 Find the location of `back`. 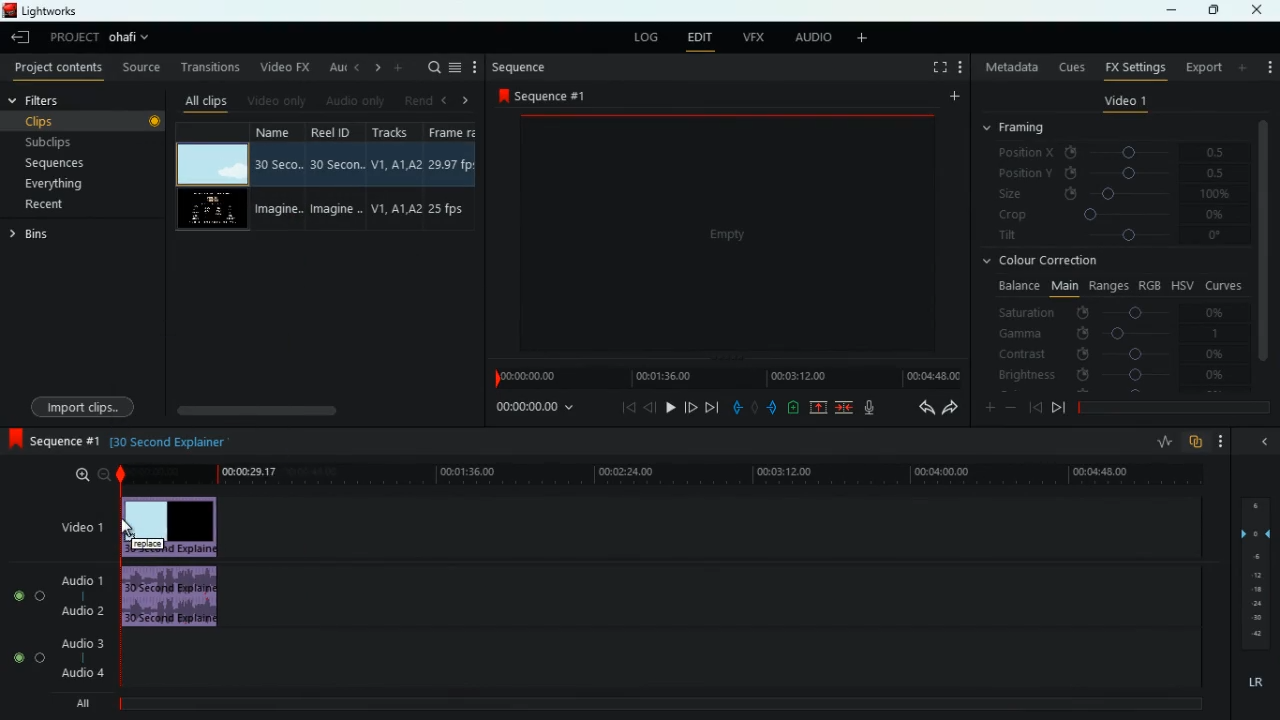

back is located at coordinates (1035, 408).